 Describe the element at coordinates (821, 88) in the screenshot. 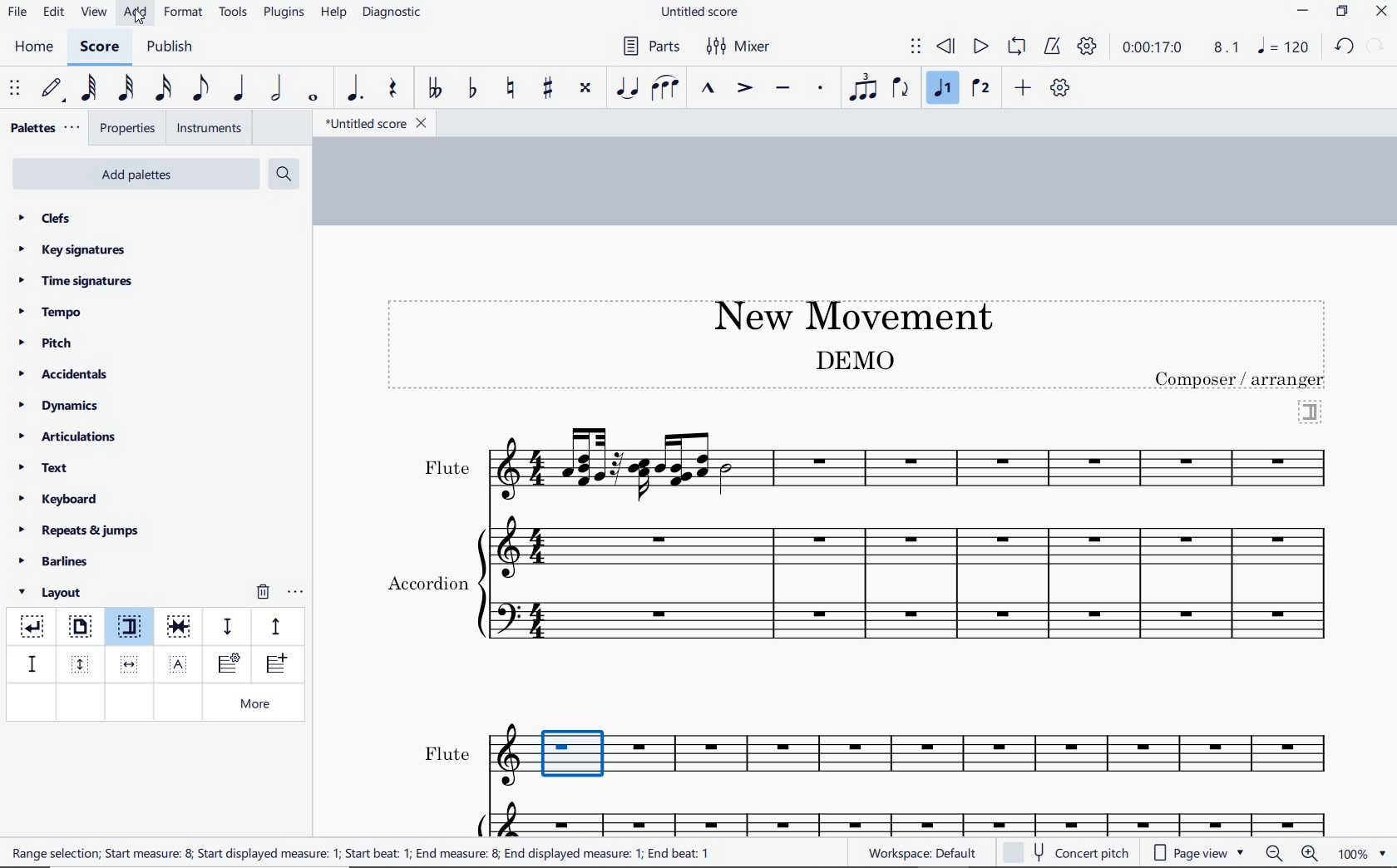

I see `staccato` at that location.